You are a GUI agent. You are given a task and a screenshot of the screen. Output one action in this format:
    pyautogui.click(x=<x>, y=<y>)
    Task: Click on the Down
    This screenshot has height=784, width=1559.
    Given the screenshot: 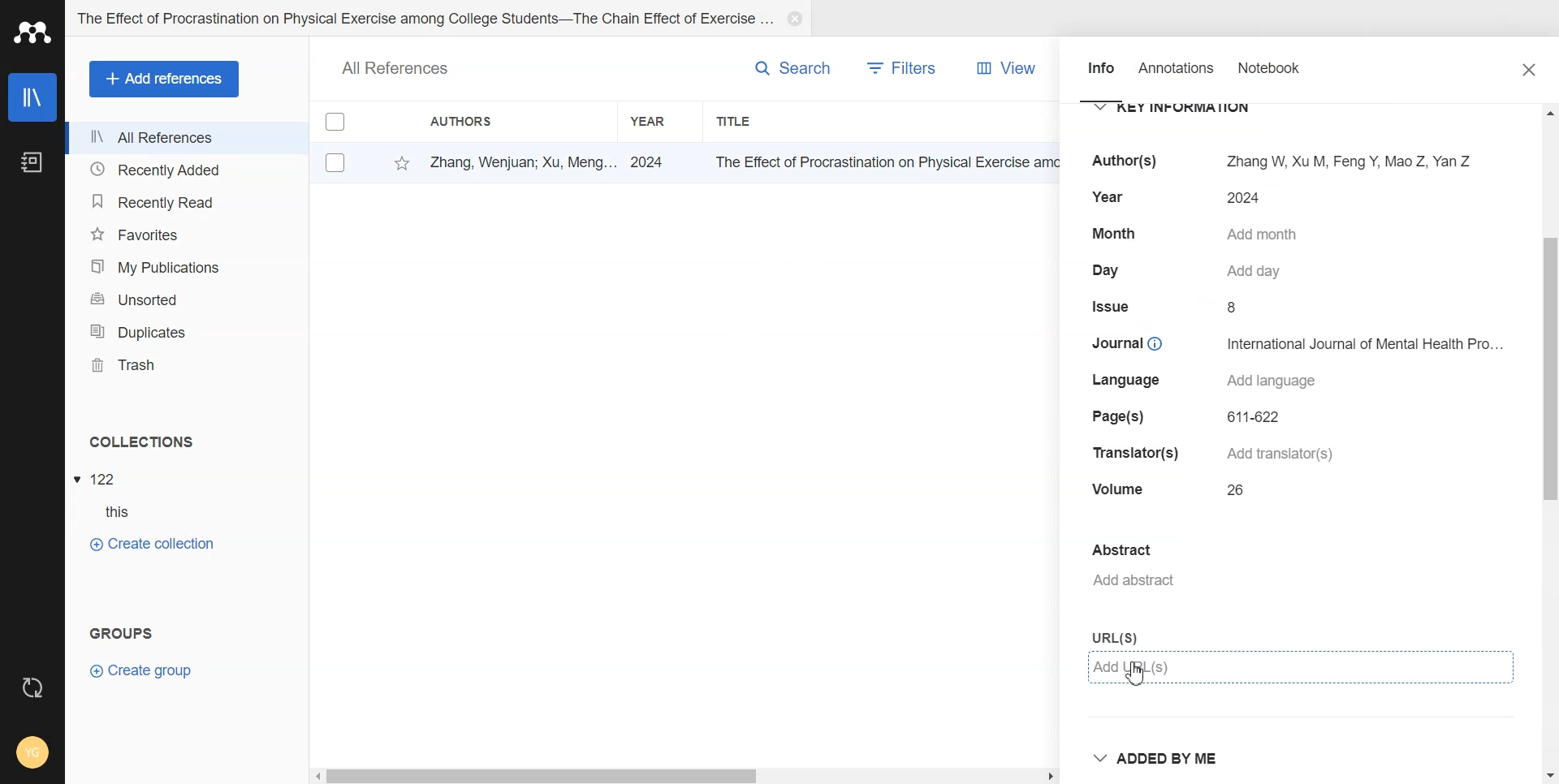 What is the action you would take?
    pyautogui.click(x=1548, y=770)
    